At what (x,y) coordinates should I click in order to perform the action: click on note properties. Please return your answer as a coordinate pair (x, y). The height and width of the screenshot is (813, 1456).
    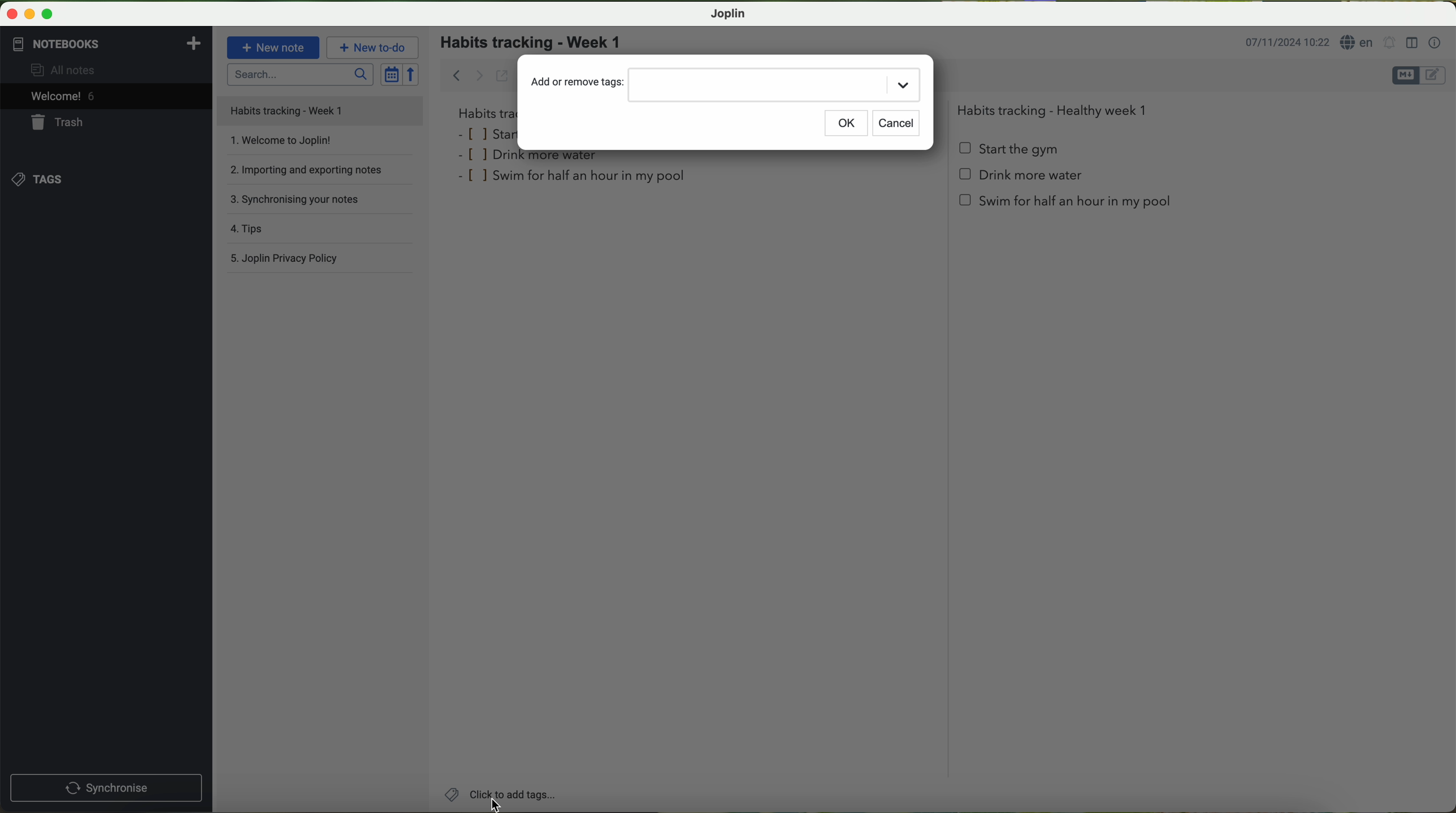
    Looking at the image, I should click on (1436, 44).